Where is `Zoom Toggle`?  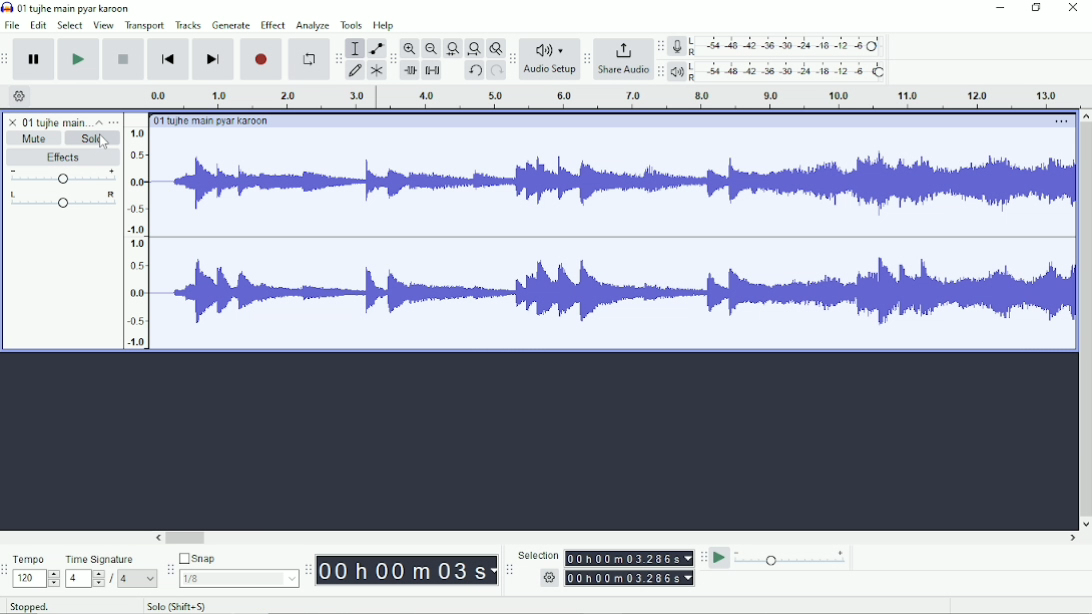
Zoom Toggle is located at coordinates (494, 48).